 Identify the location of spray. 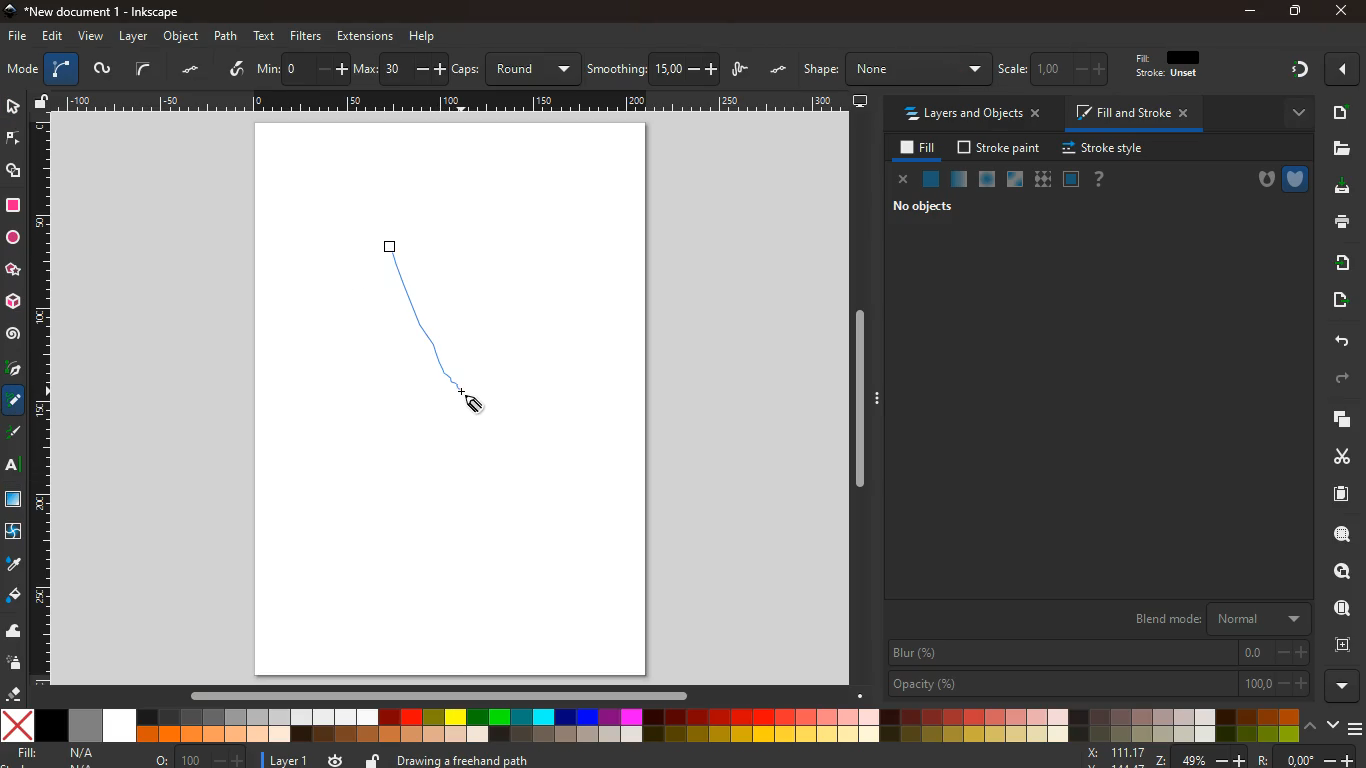
(15, 664).